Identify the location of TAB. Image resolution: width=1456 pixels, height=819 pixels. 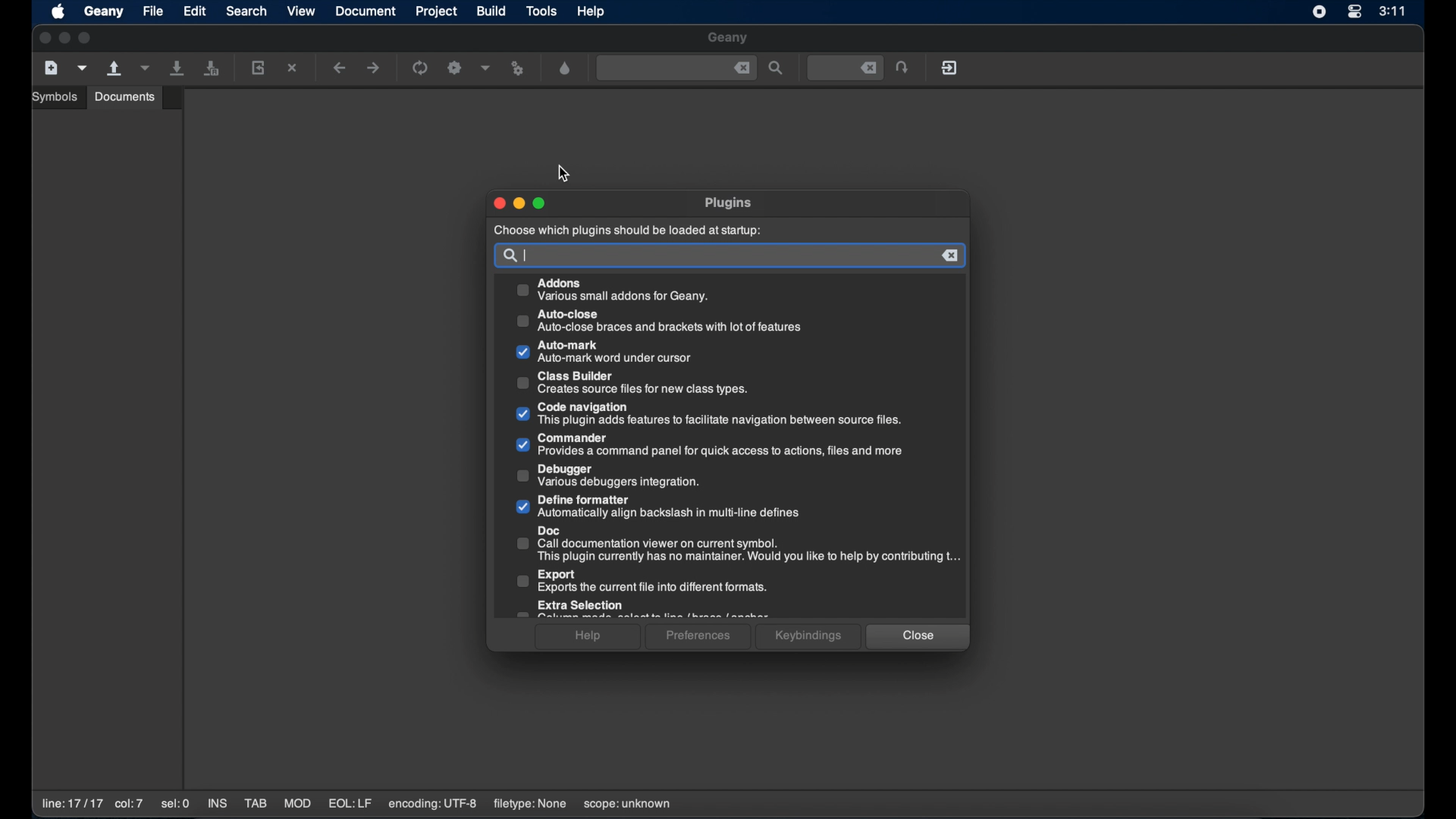
(256, 804).